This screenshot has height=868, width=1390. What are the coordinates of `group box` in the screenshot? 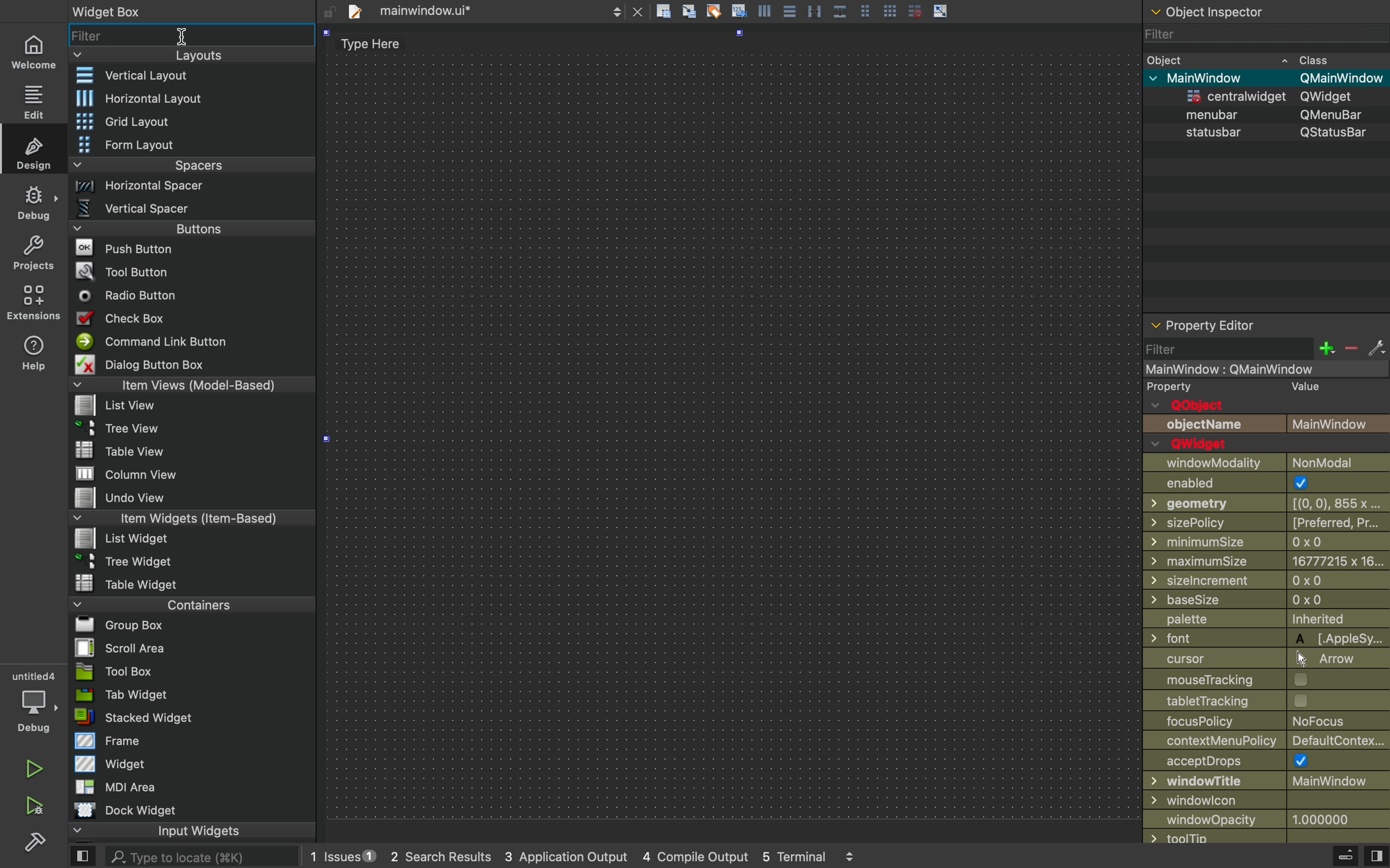 It's located at (192, 627).